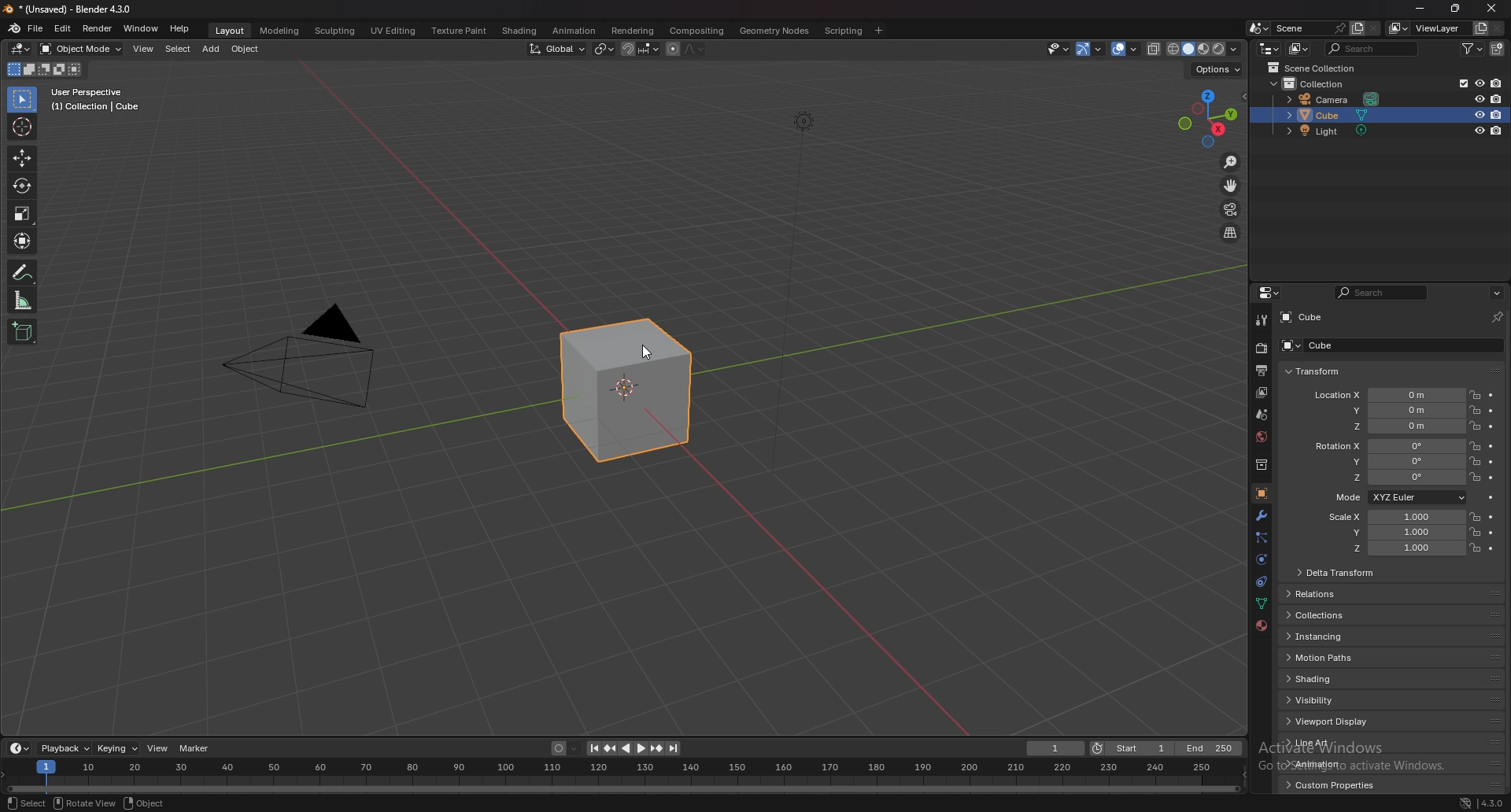 The width and height of the screenshot is (1511, 812). I want to click on animate property, so click(1491, 396).